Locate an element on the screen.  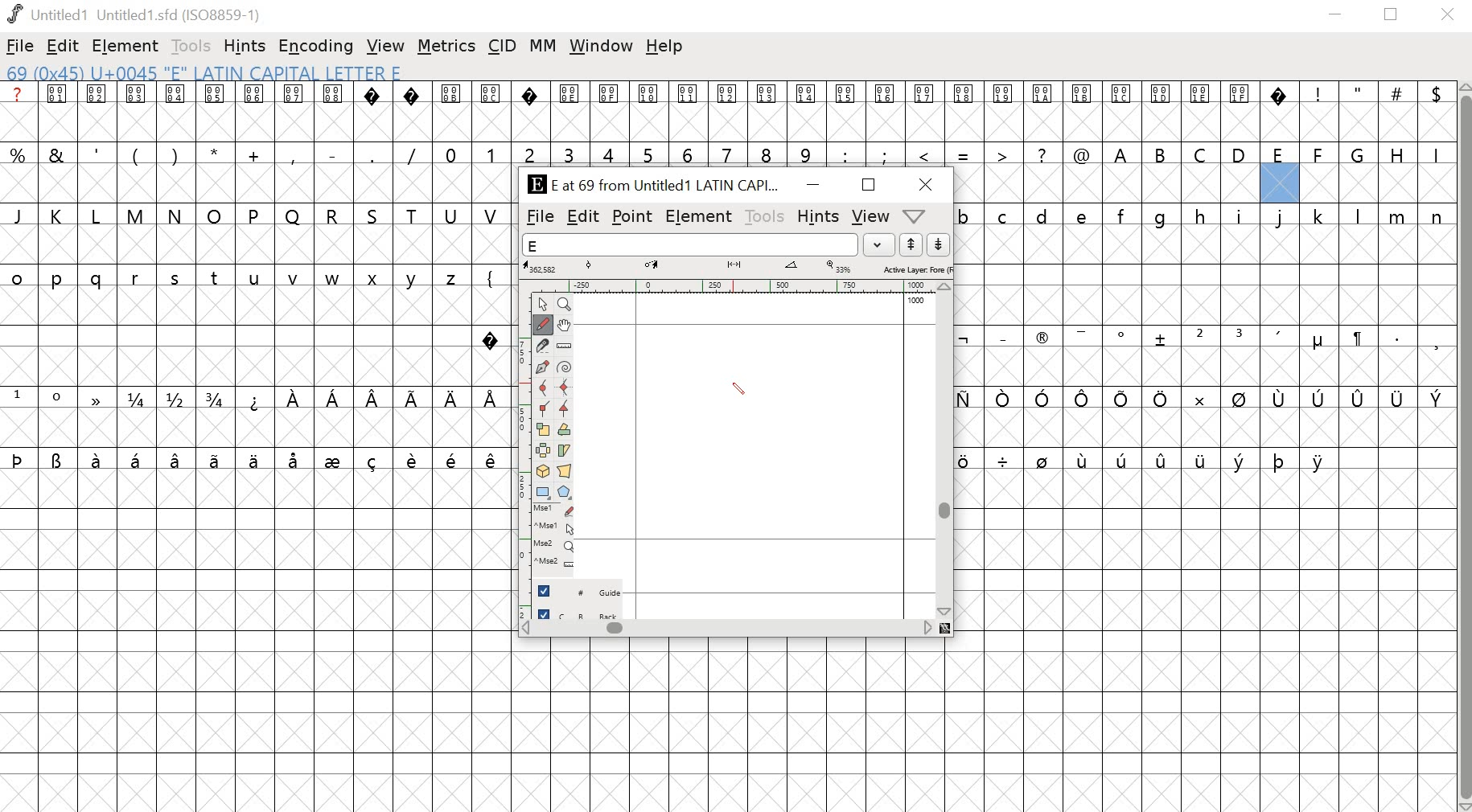
minimize is located at coordinates (812, 187).